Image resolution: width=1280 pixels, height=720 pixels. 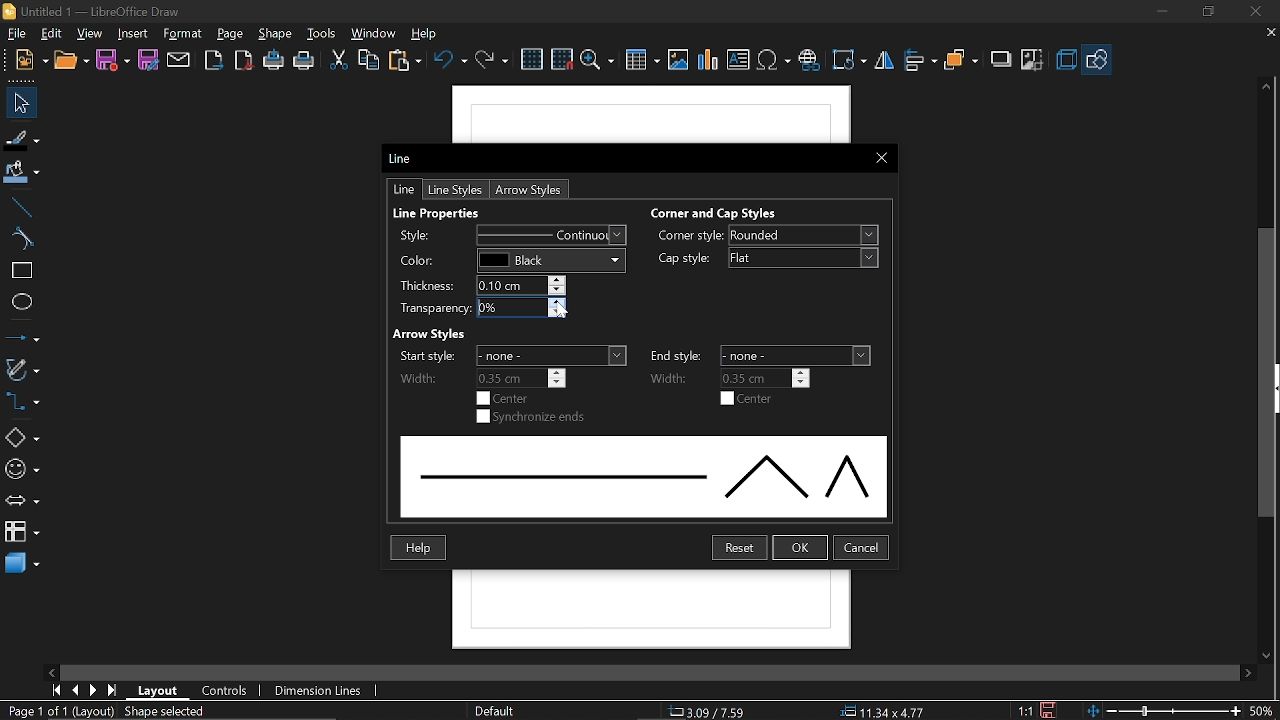 What do you see at coordinates (642, 60) in the screenshot?
I see `Insert table` at bounding box center [642, 60].